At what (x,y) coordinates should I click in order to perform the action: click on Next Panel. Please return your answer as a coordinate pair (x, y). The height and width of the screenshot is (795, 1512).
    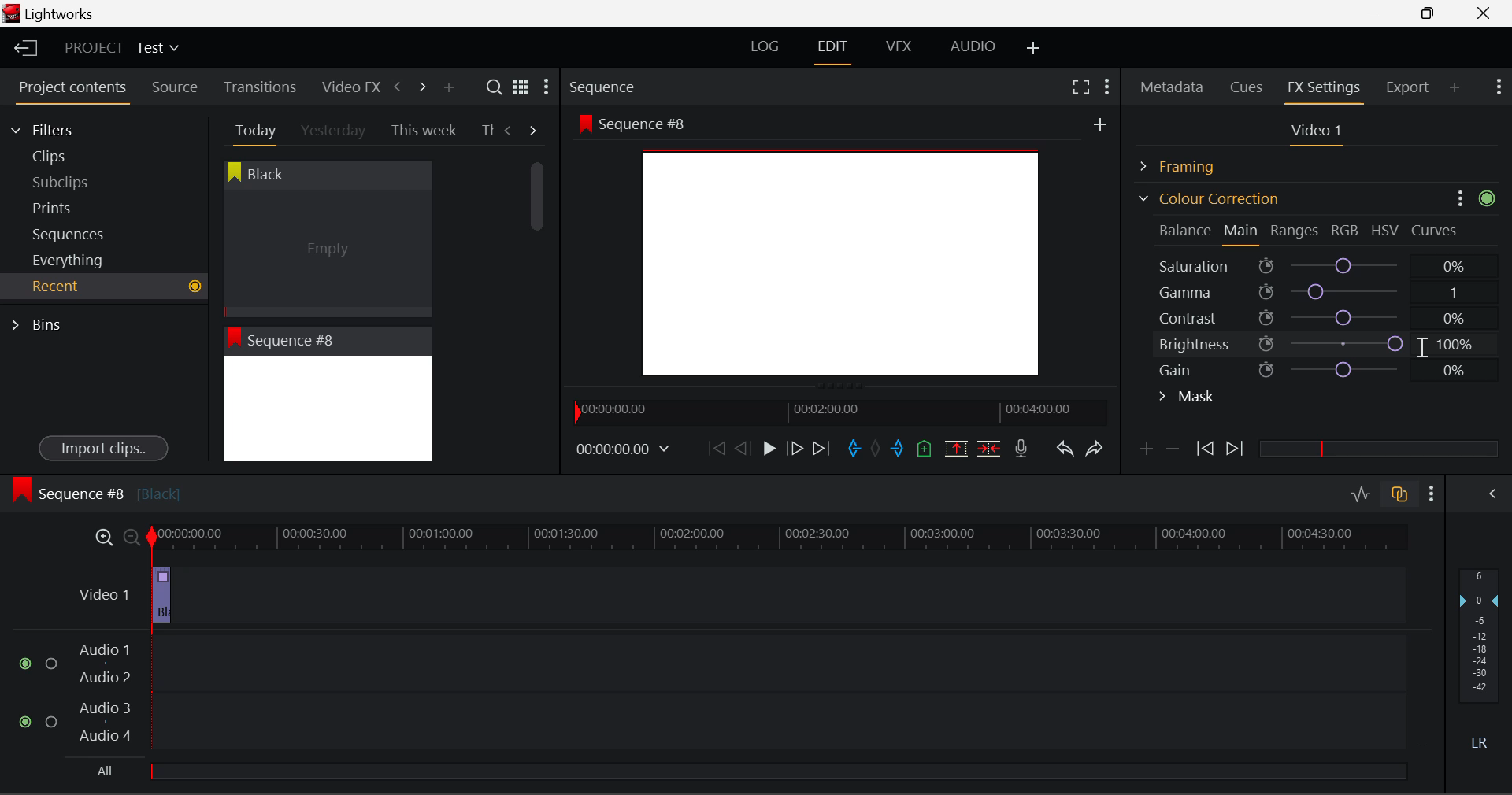
    Looking at the image, I should click on (420, 86).